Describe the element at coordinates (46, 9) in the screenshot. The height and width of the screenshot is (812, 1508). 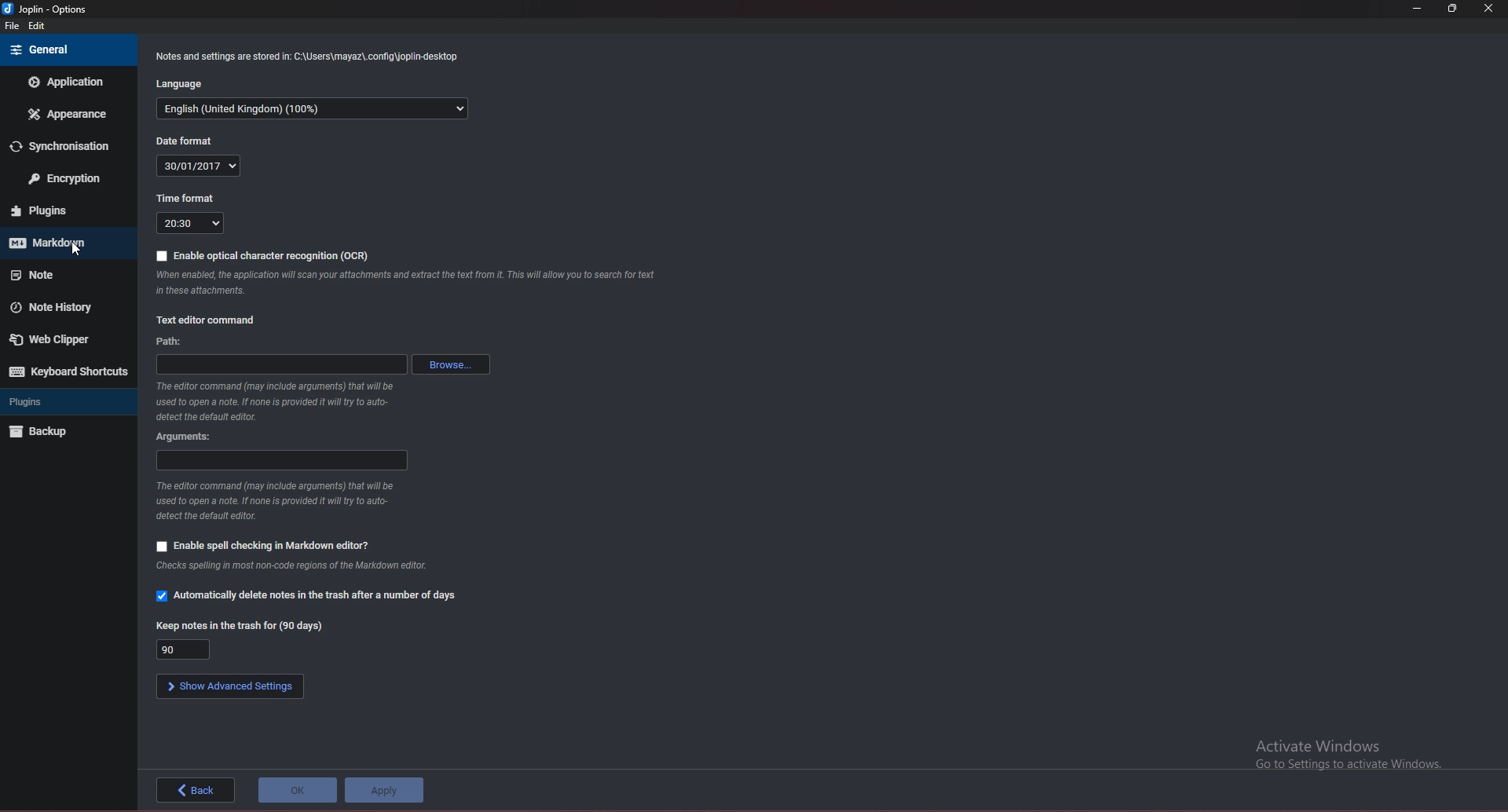
I see `options` at that location.